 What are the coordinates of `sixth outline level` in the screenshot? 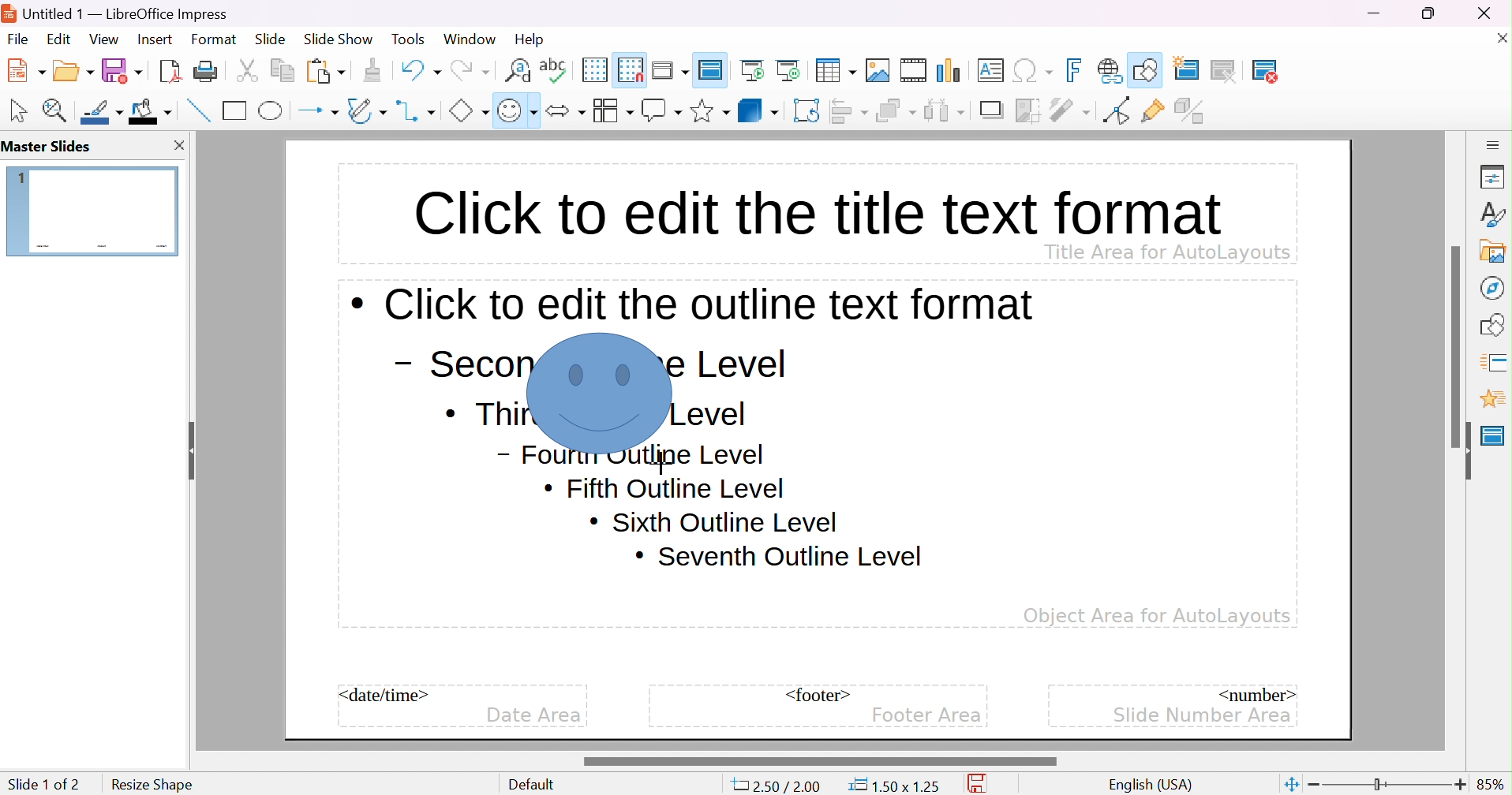 It's located at (713, 521).